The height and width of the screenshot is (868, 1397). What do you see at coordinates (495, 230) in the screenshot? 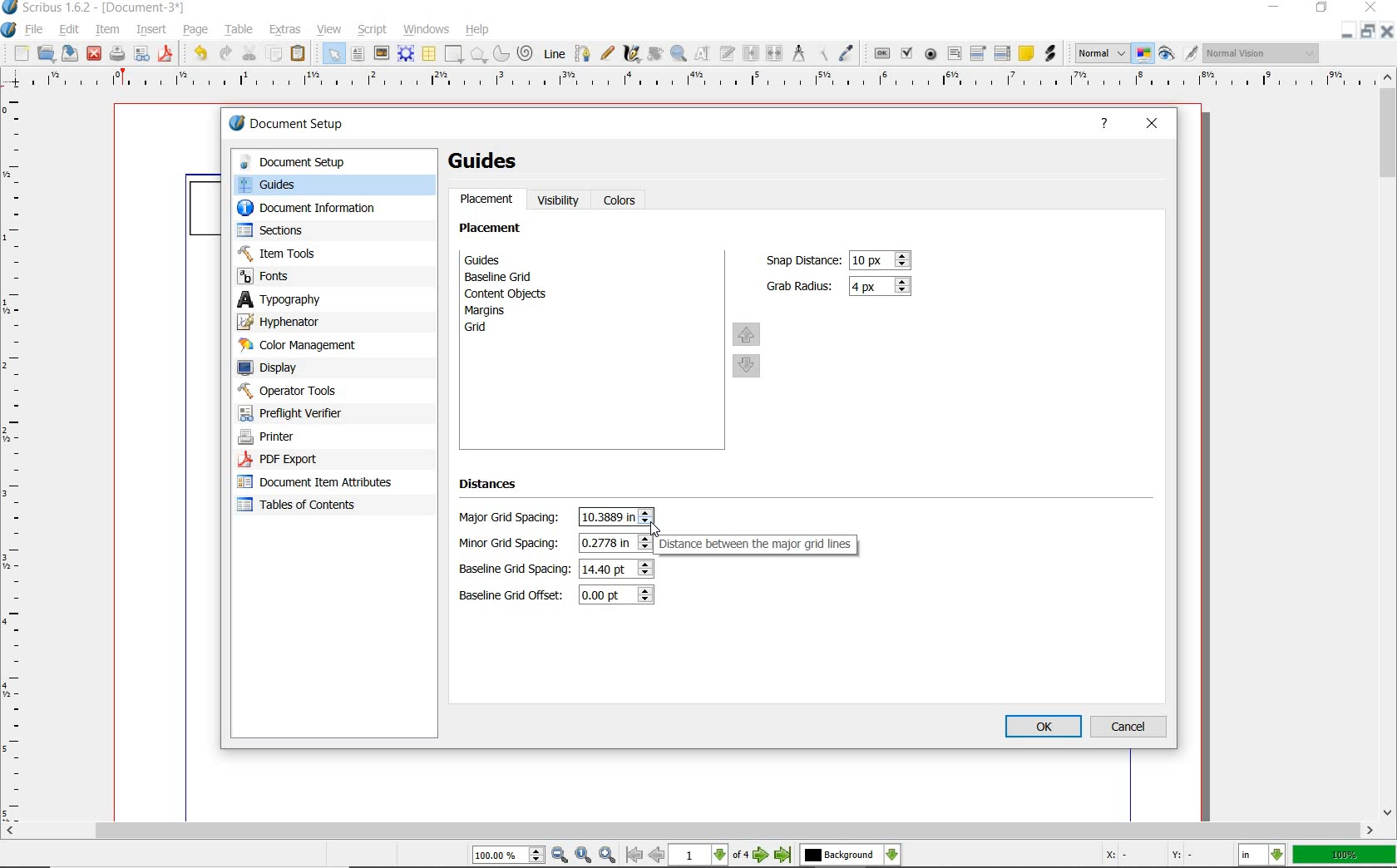
I see `placement` at bounding box center [495, 230].